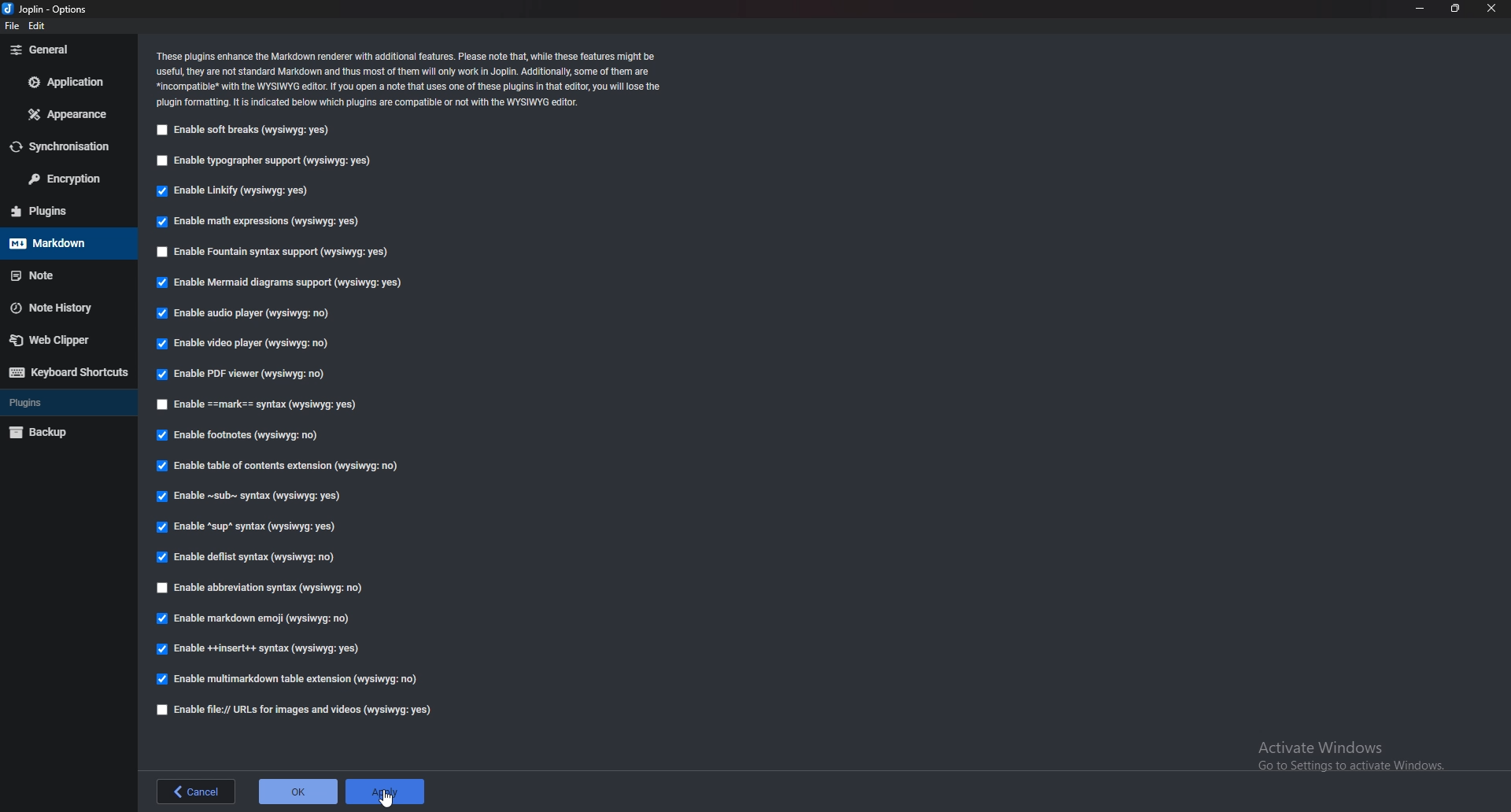 Image resolution: width=1511 pixels, height=812 pixels. What do you see at coordinates (68, 146) in the screenshot?
I see `Synchronization` at bounding box center [68, 146].